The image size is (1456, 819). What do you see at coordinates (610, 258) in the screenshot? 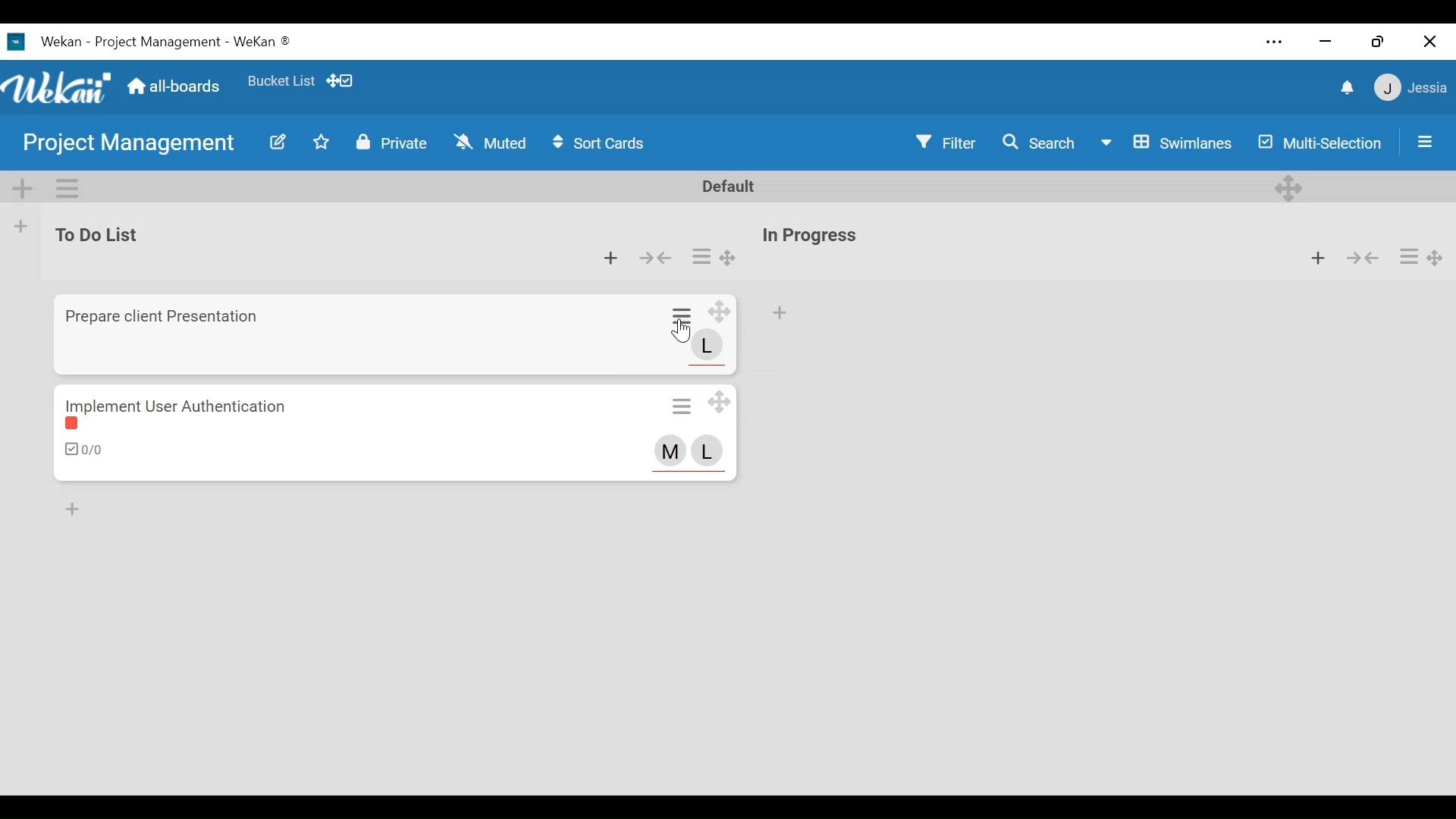
I see `Add card to the top of the list` at bounding box center [610, 258].